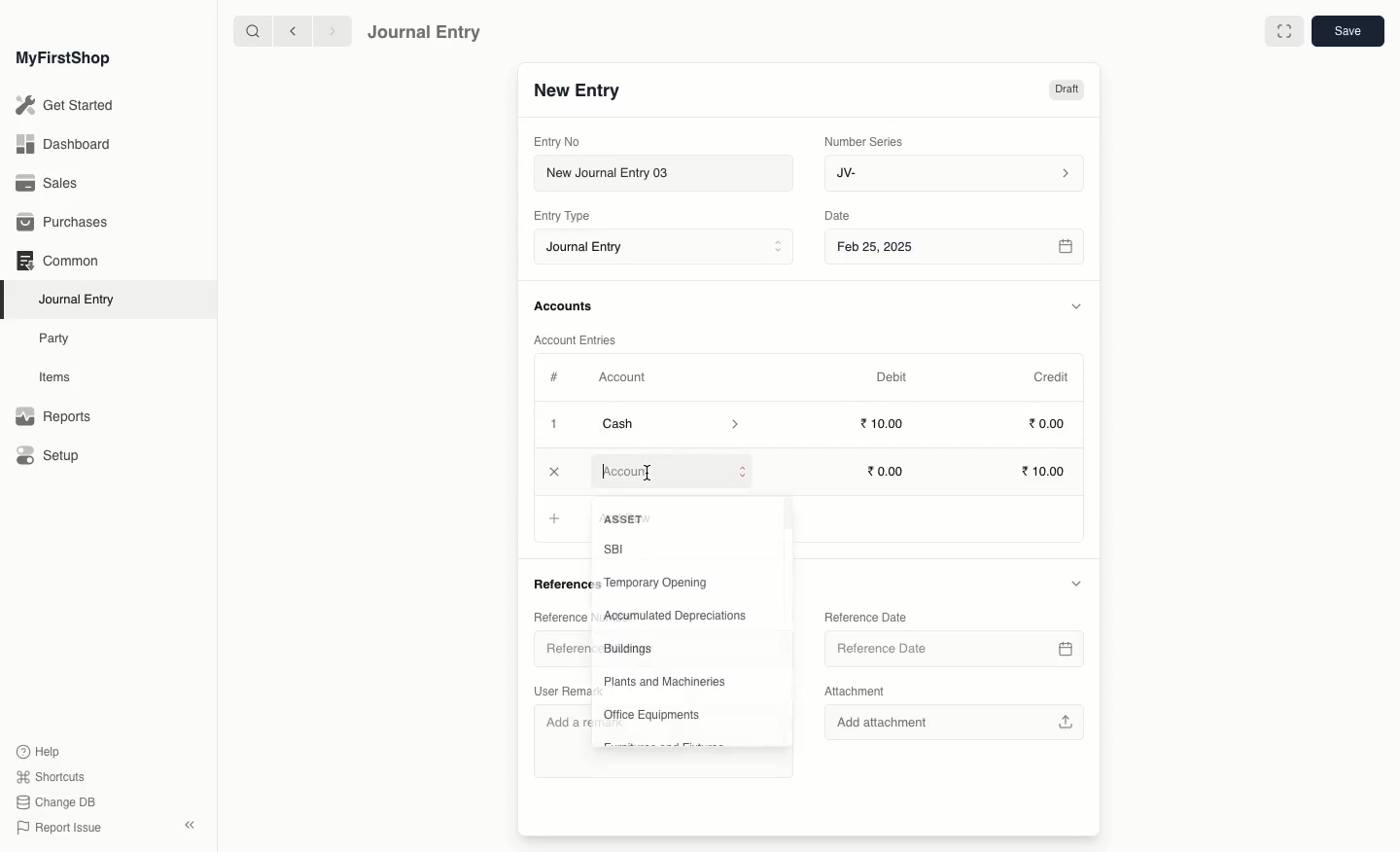 This screenshot has height=852, width=1400. What do you see at coordinates (864, 140) in the screenshot?
I see `‘Number Series` at bounding box center [864, 140].